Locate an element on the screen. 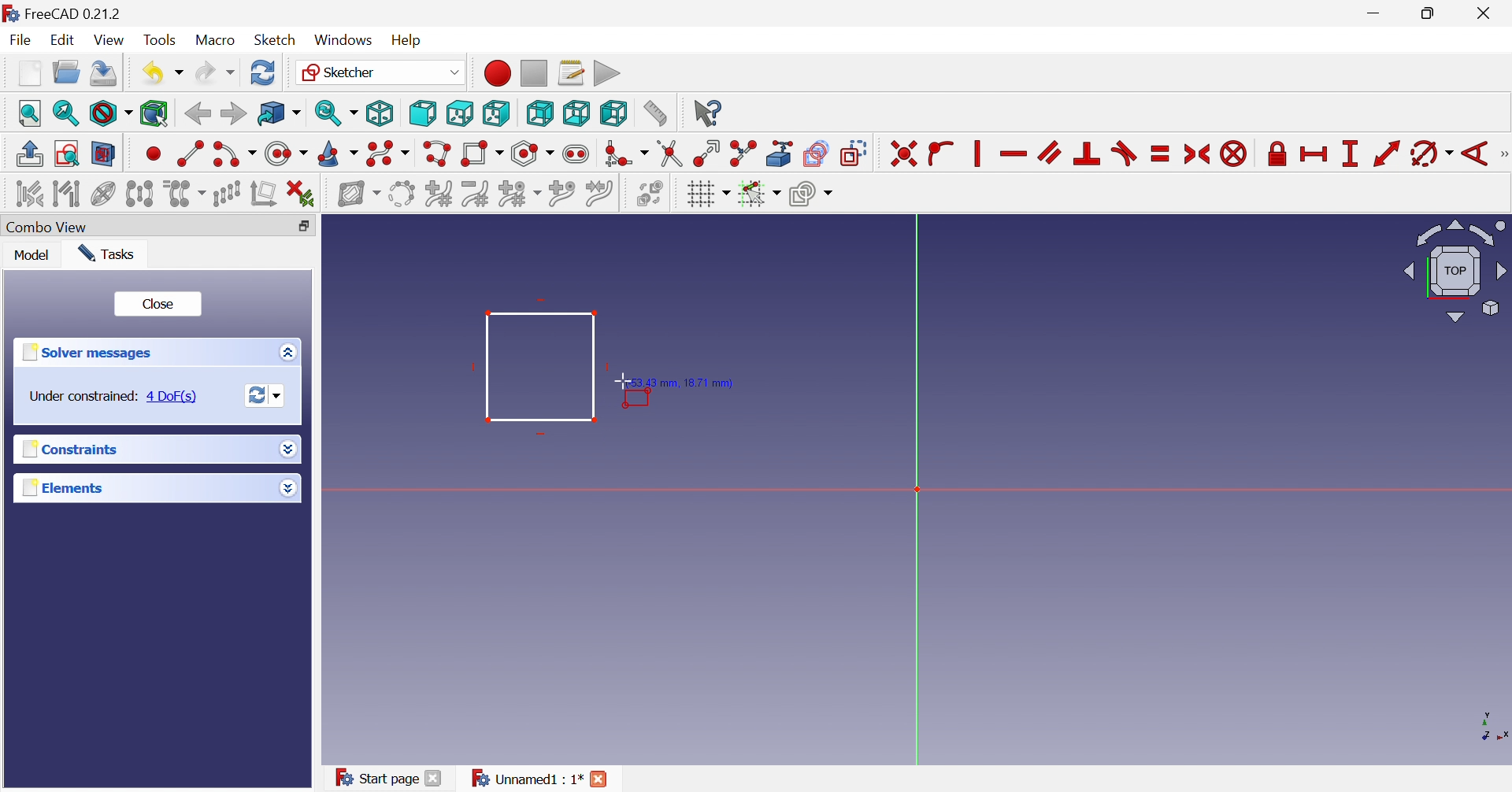 Image resolution: width=1512 pixels, height=792 pixels. Sketch is located at coordinates (275, 40).